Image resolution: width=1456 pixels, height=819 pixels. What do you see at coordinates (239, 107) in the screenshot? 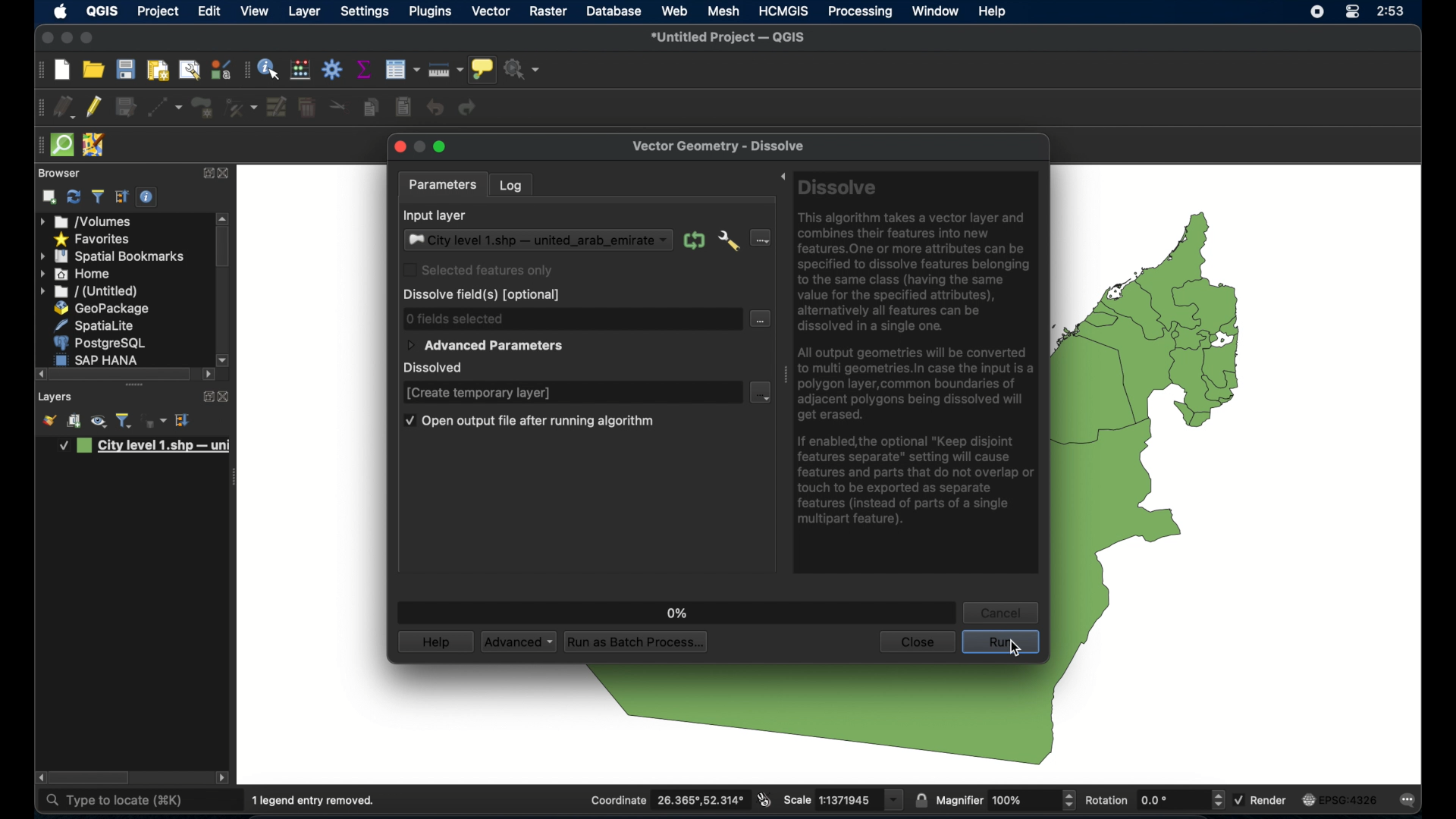
I see `vertes tool` at bounding box center [239, 107].